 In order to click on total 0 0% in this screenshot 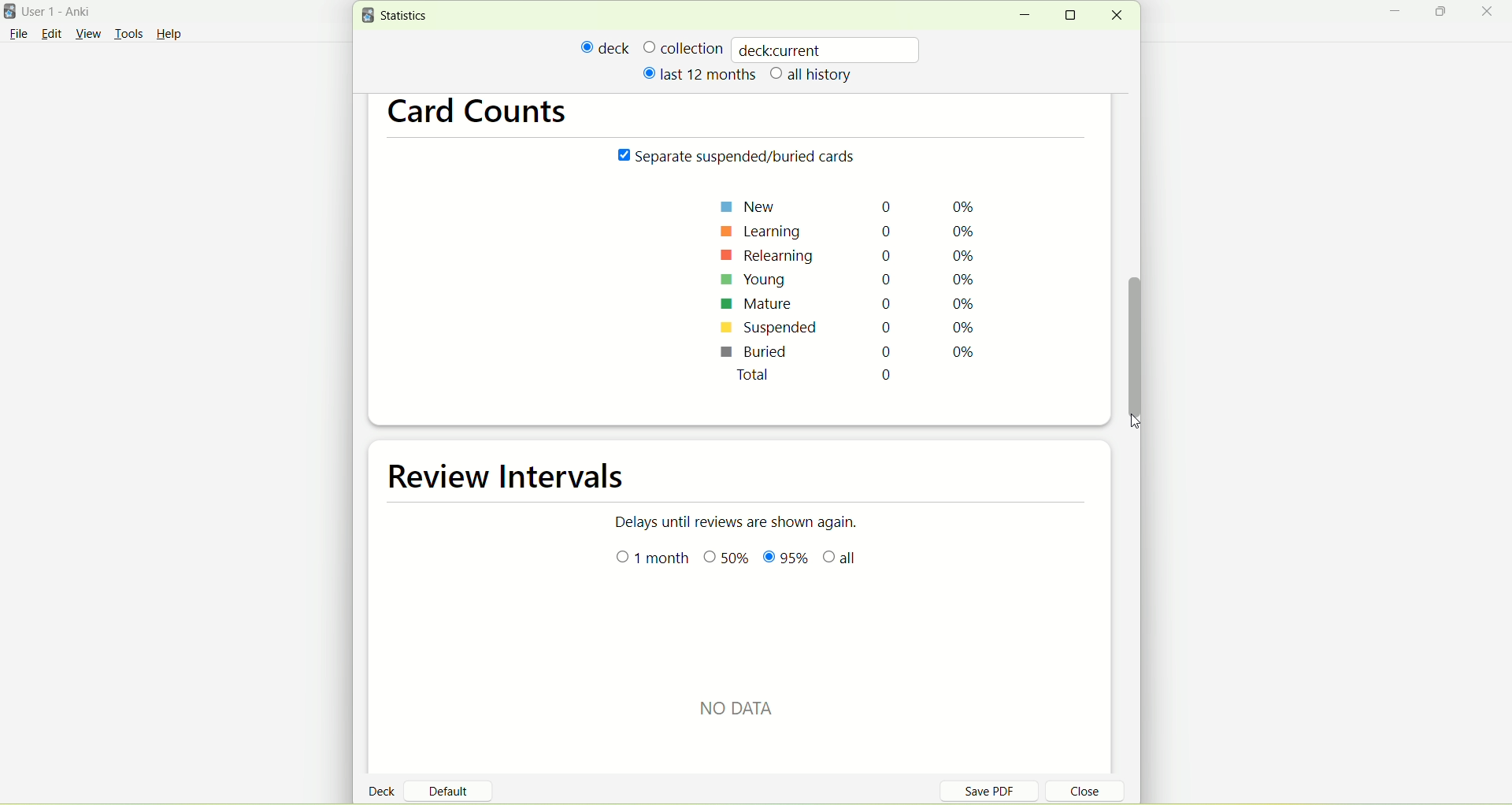, I will do `click(865, 379)`.